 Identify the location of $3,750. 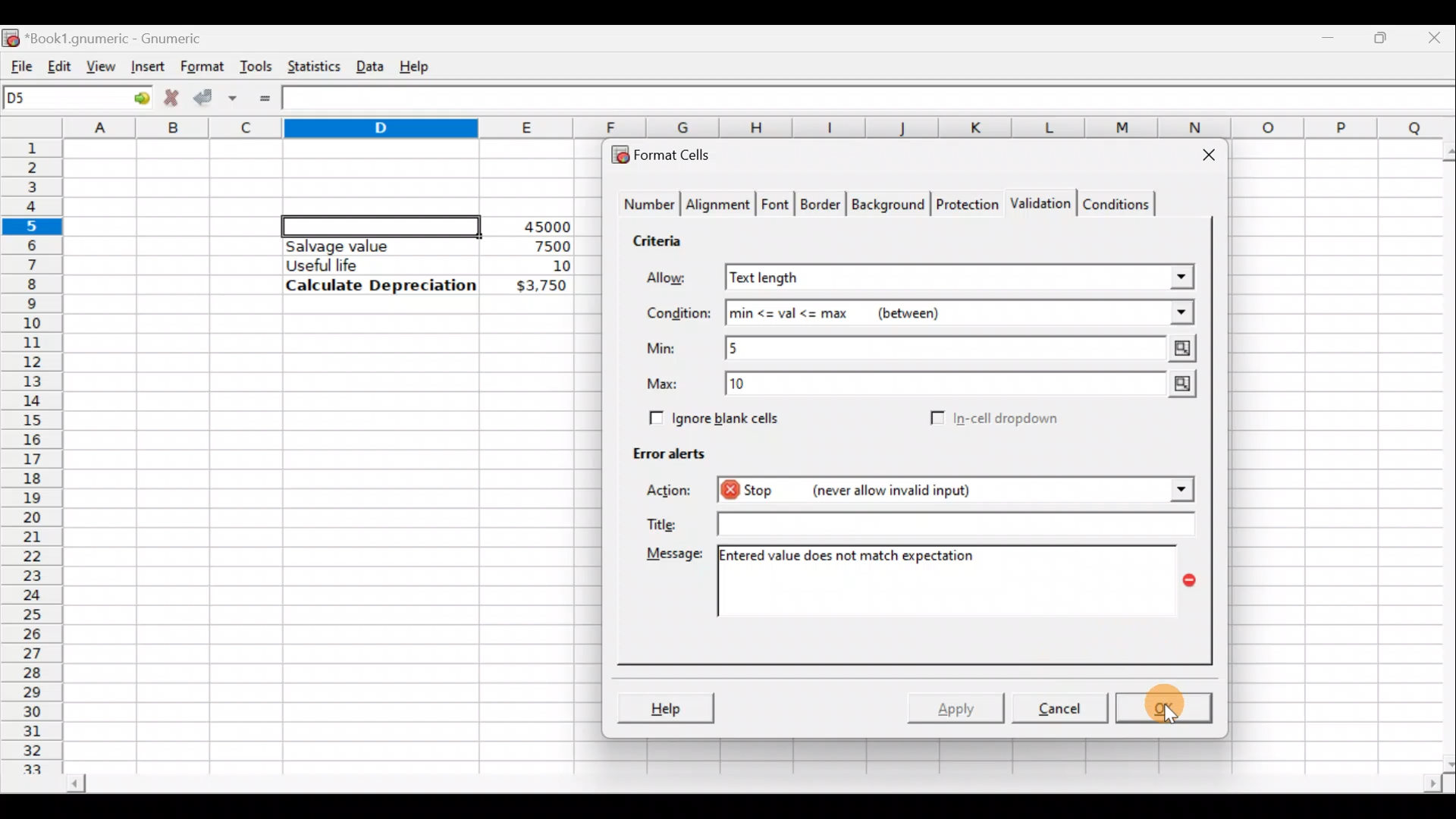
(540, 287).